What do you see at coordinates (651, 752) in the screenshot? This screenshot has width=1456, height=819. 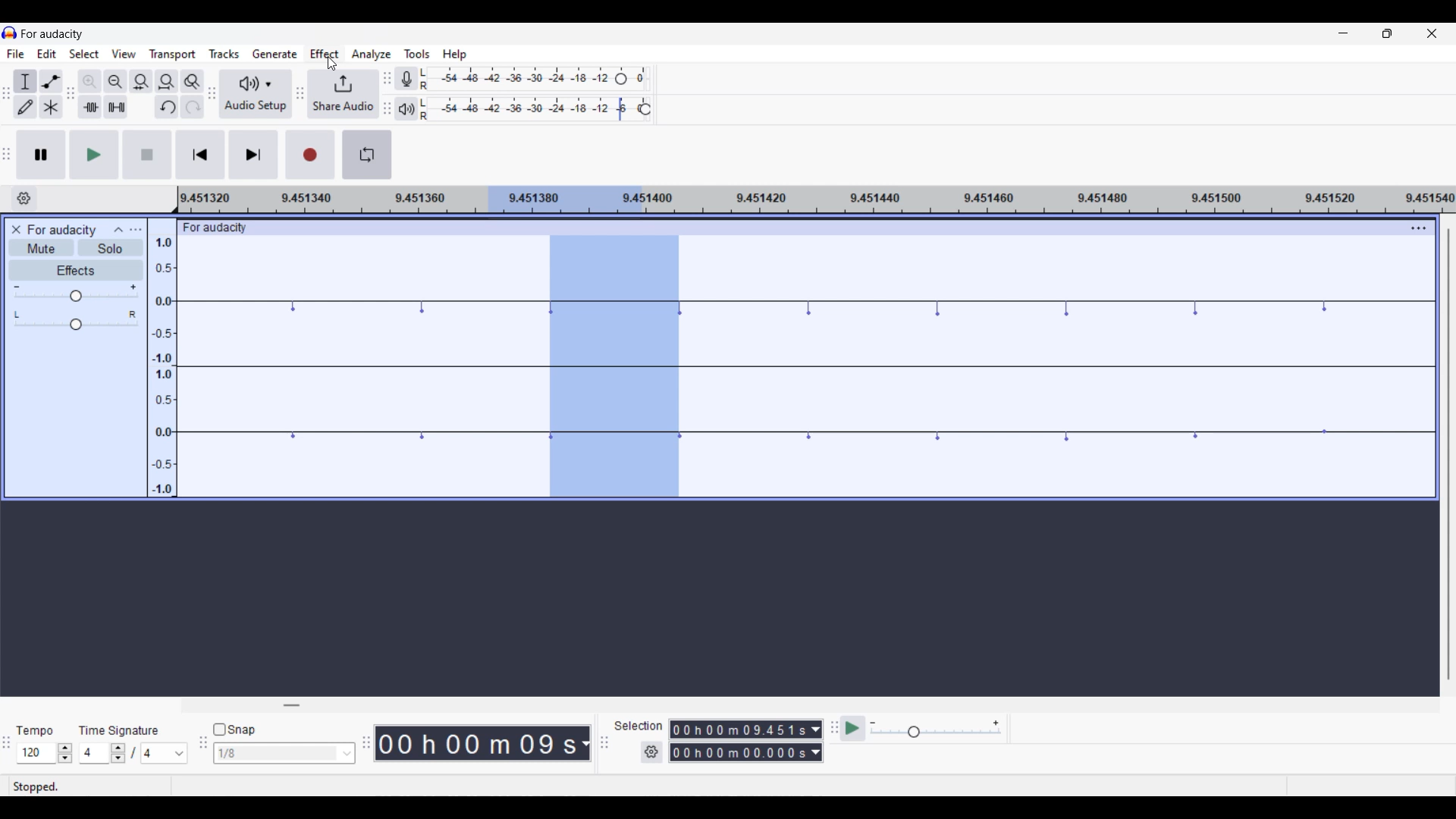 I see `Selection settings` at bounding box center [651, 752].